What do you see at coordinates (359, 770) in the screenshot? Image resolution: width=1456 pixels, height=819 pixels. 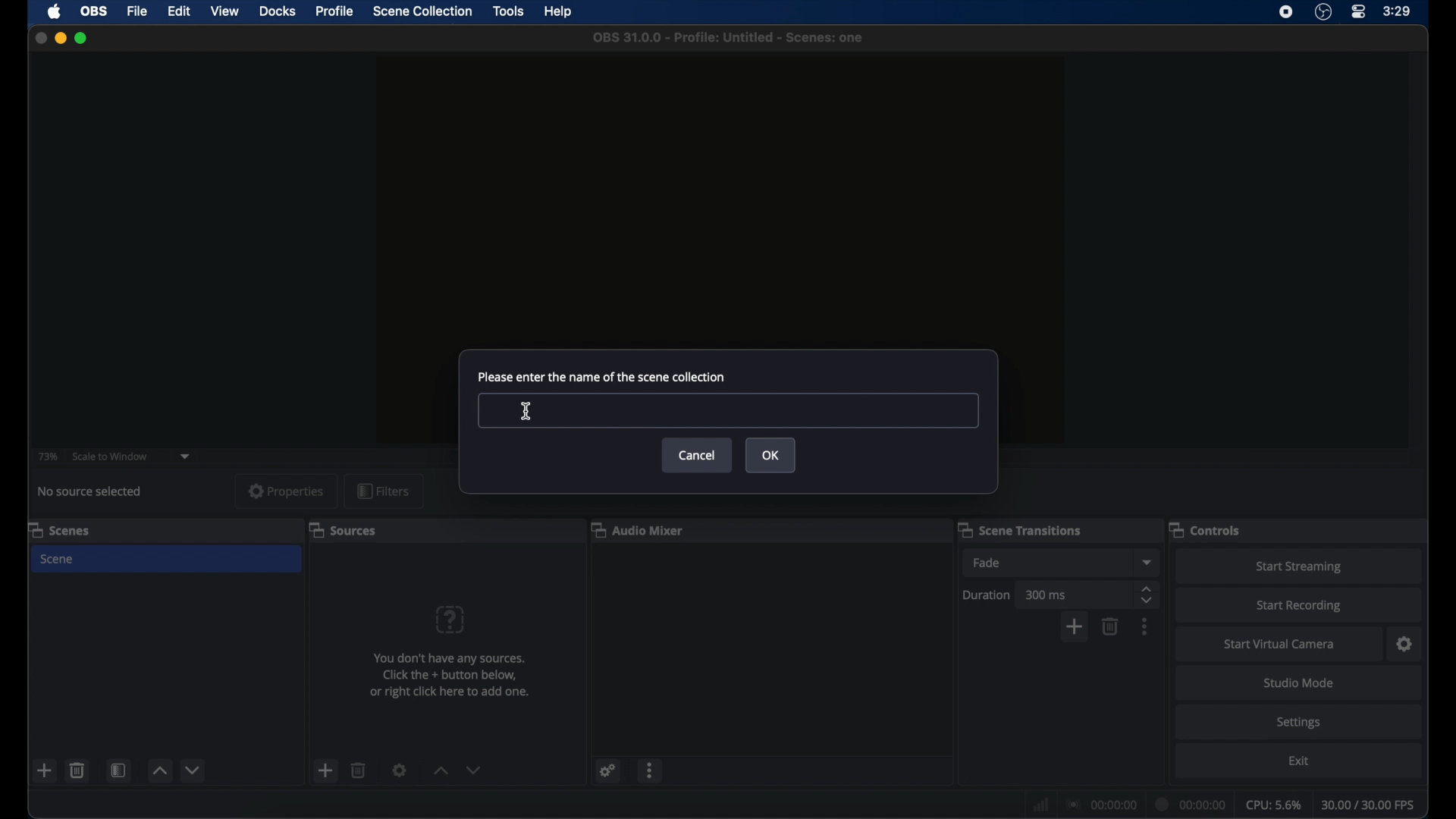 I see `delete` at bounding box center [359, 770].